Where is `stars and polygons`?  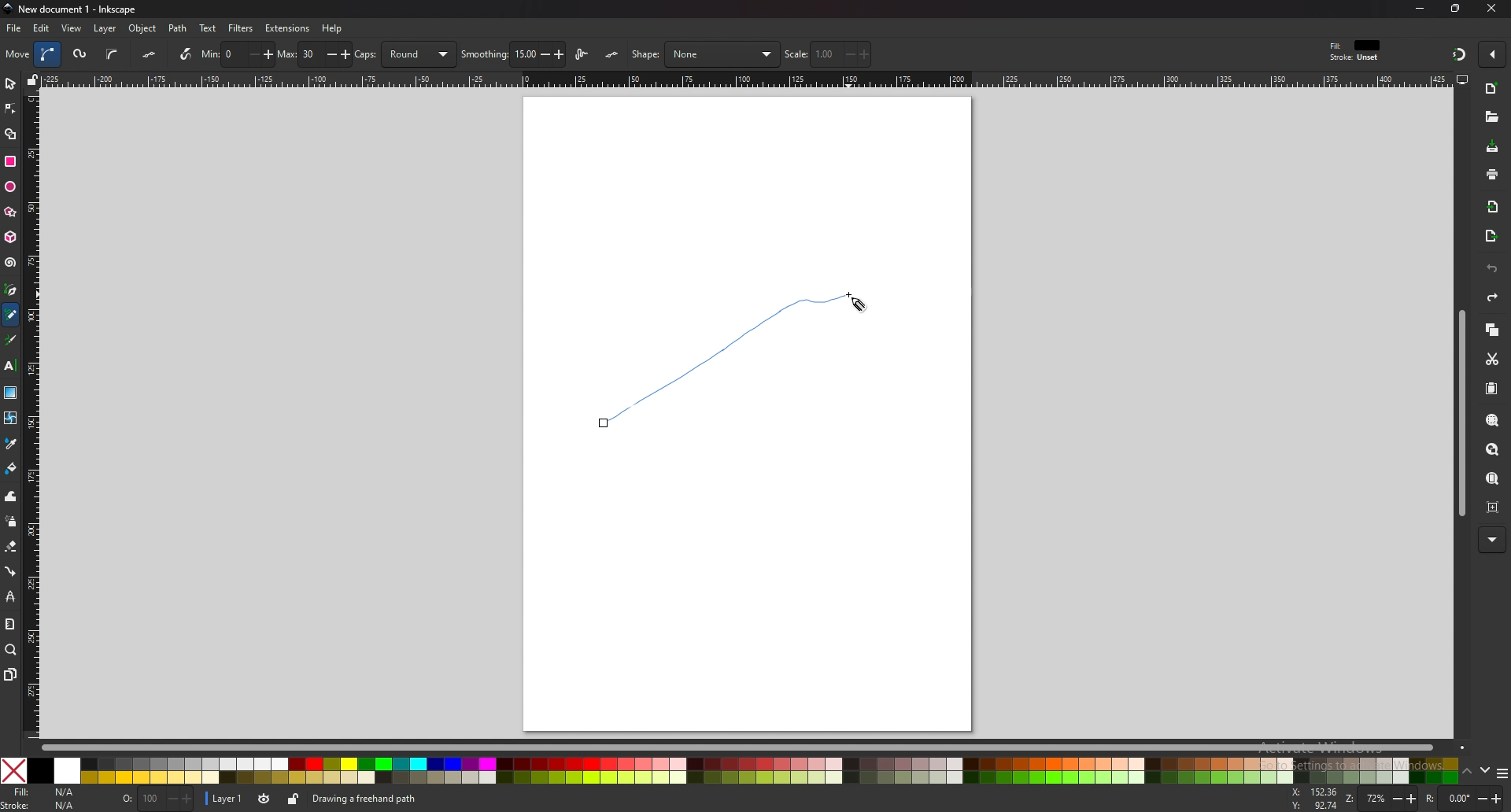
stars and polygons is located at coordinates (10, 212).